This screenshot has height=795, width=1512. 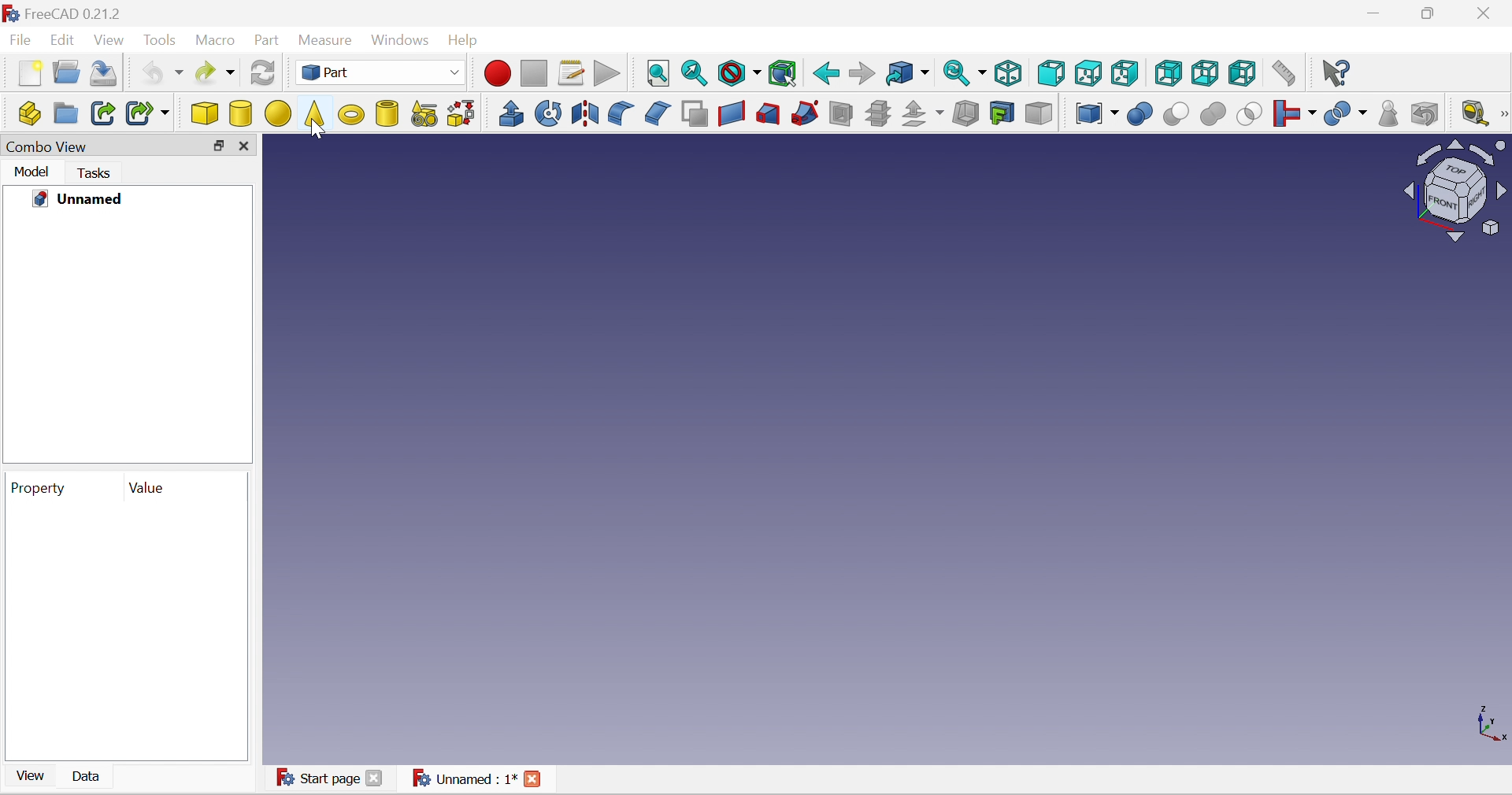 What do you see at coordinates (109, 40) in the screenshot?
I see `View` at bounding box center [109, 40].